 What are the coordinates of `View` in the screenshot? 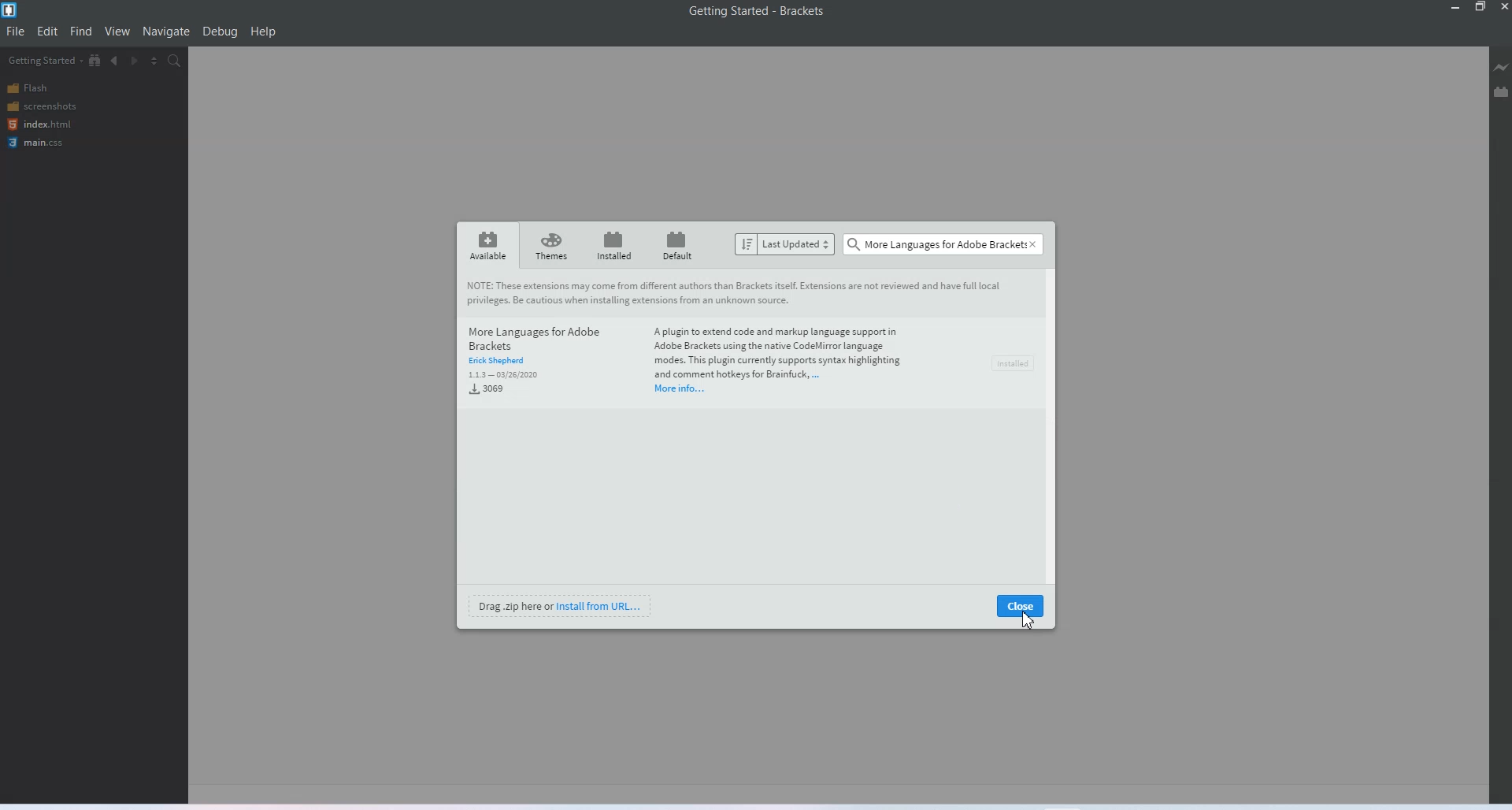 It's located at (117, 32).